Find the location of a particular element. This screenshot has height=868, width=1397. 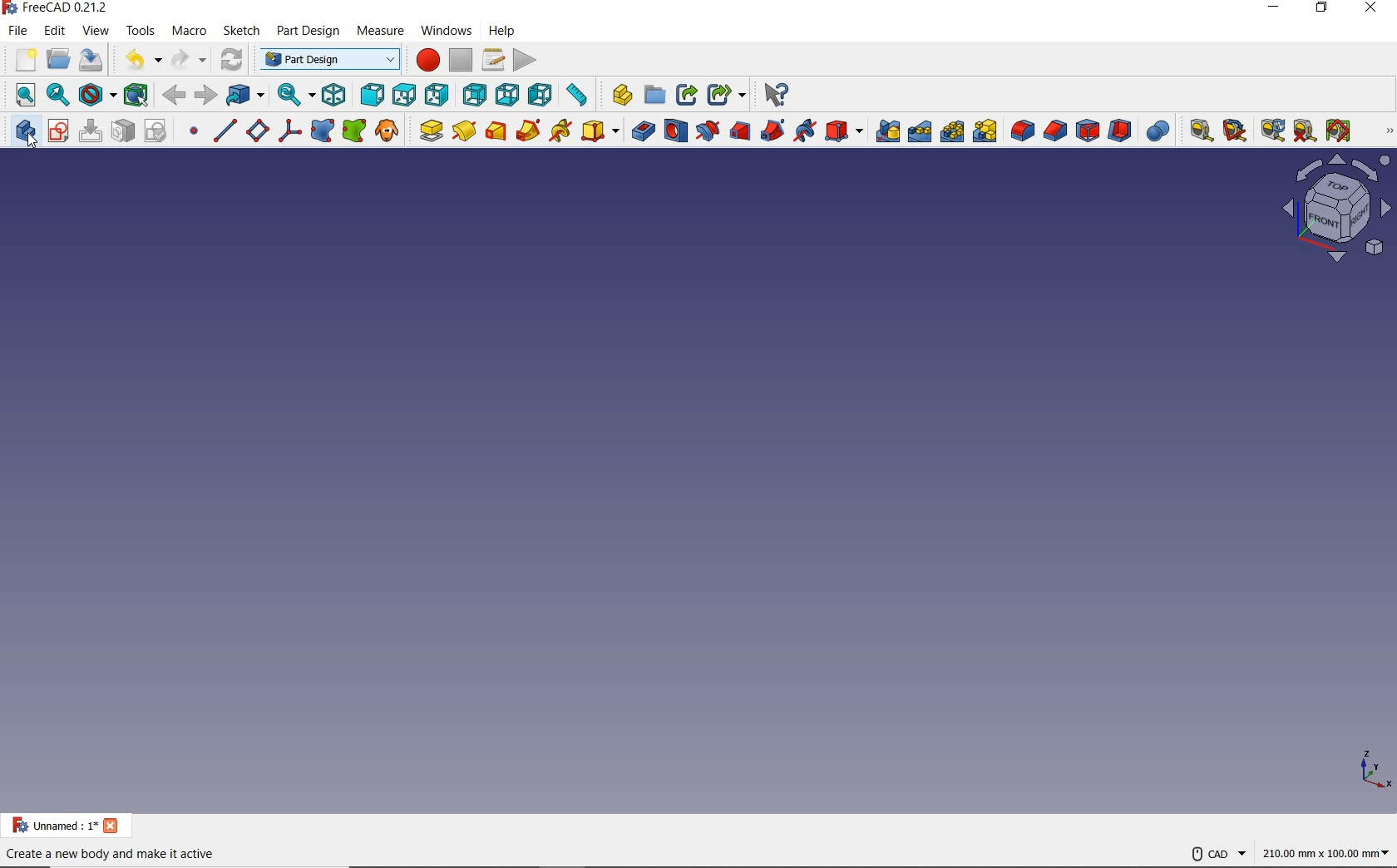

POLLARPATTERN is located at coordinates (952, 130).